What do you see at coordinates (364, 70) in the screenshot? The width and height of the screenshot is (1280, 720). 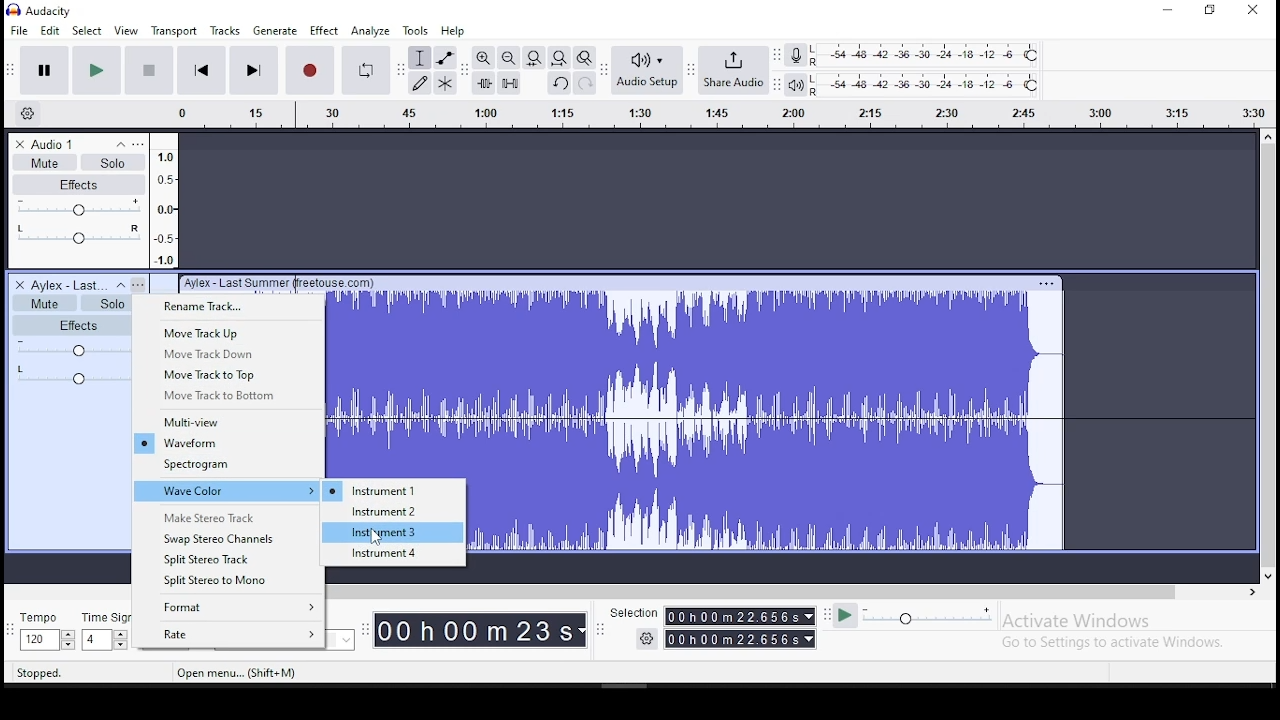 I see `enable/disable looping` at bounding box center [364, 70].